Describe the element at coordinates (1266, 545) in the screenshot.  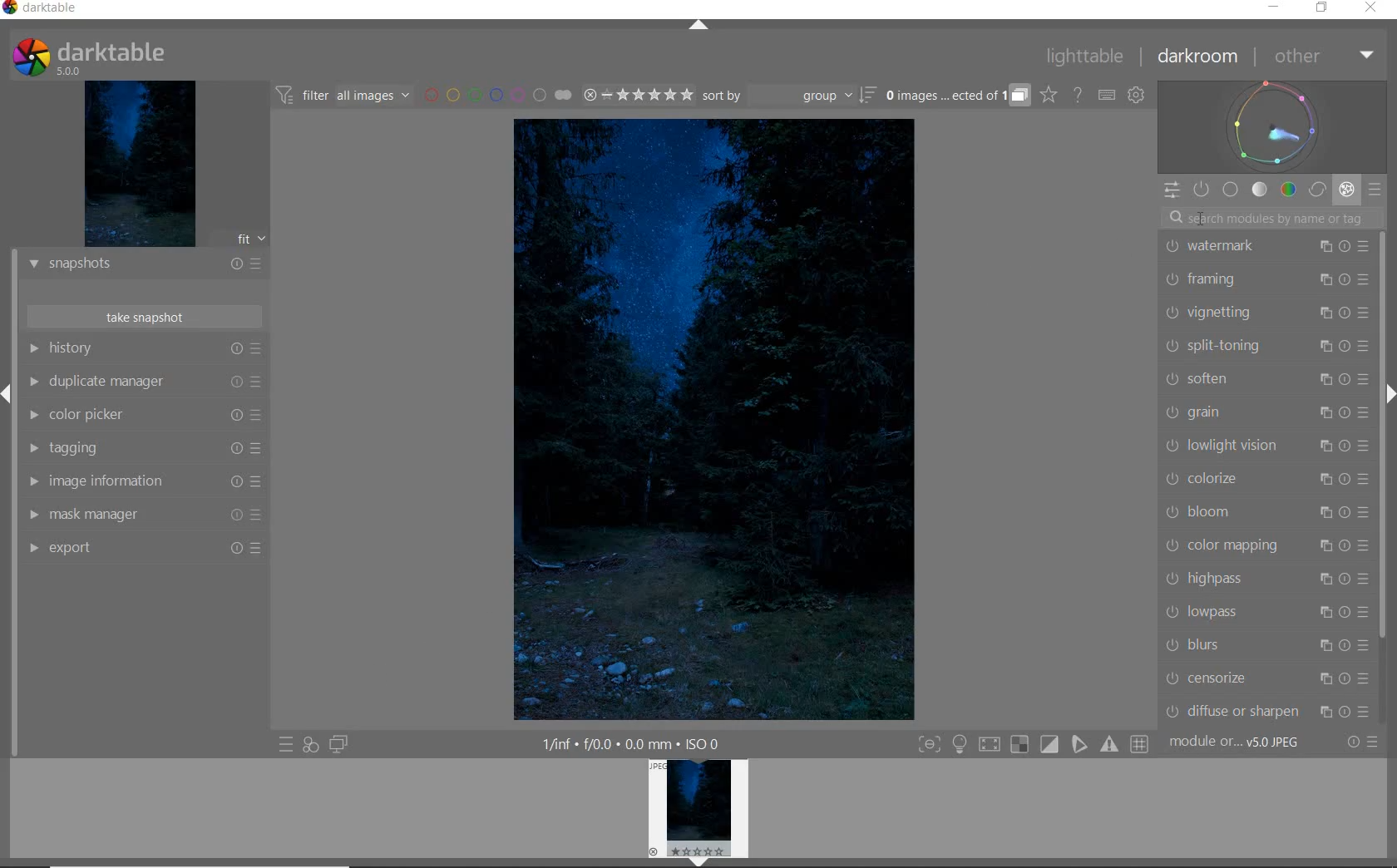
I see `COLOR AMPPING` at that location.